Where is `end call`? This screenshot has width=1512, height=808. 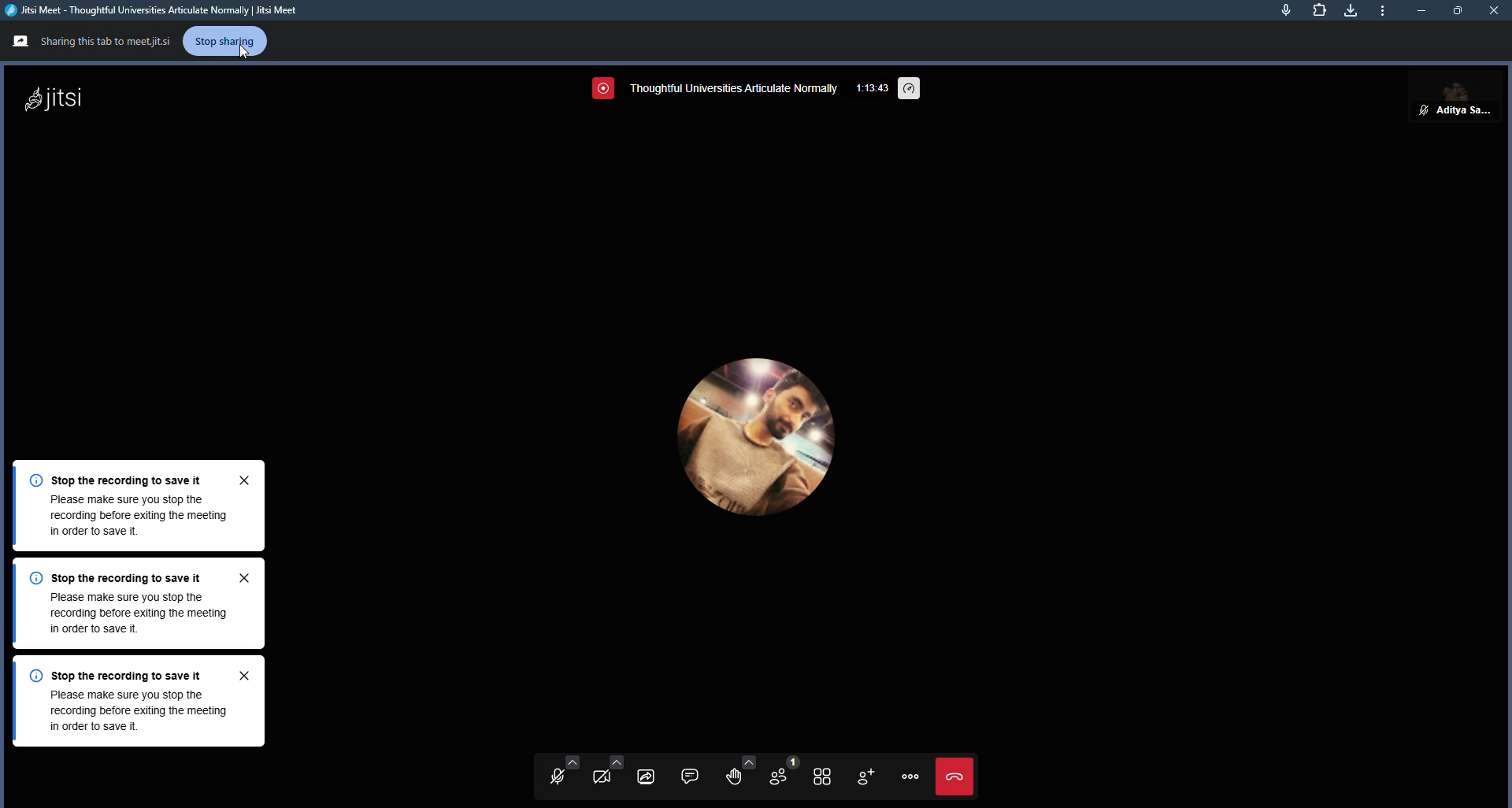 end call is located at coordinates (958, 775).